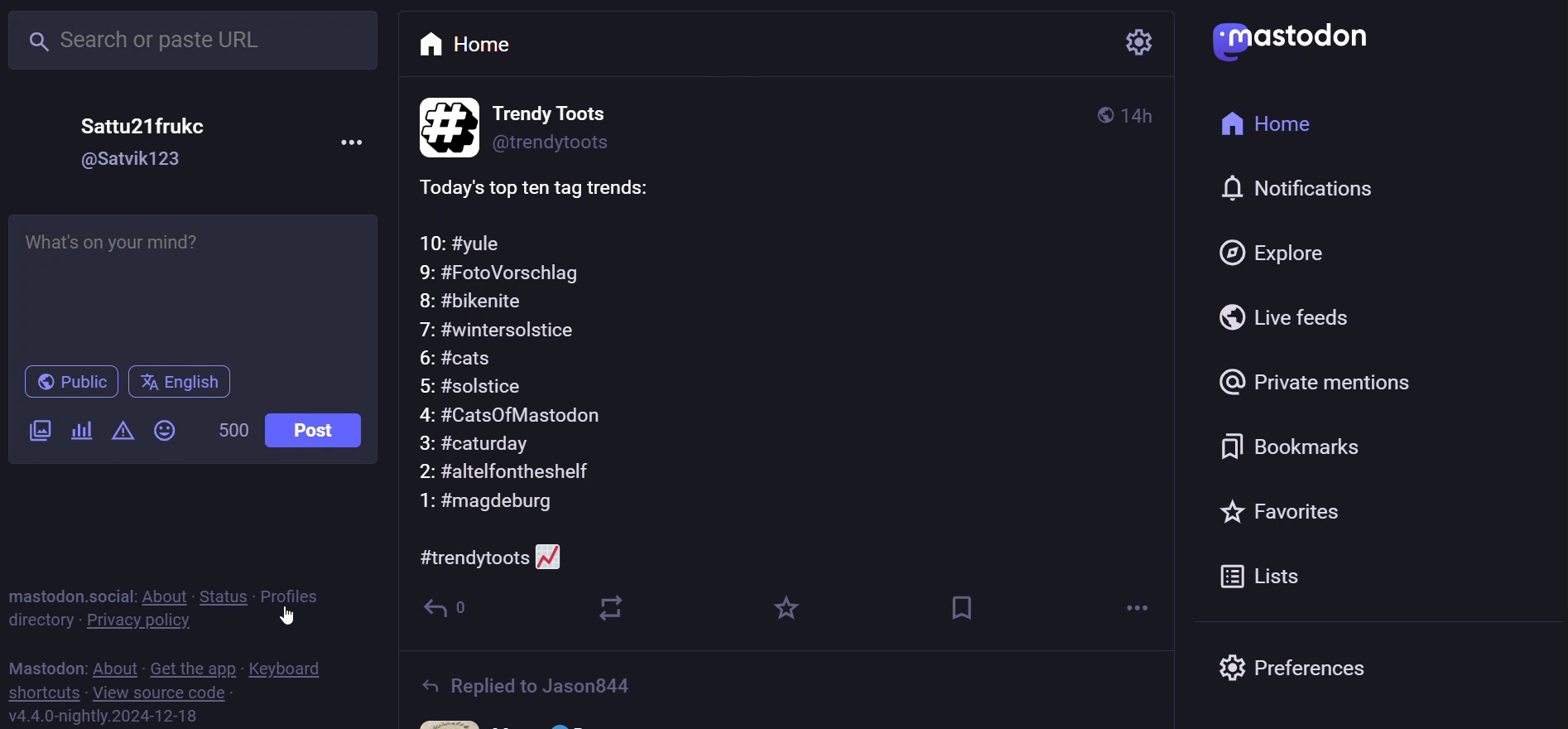 Image resolution: width=1568 pixels, height=729 pixels. Describe the element at coordinates (232, 431) in the screenshot. I see `500` at that location.